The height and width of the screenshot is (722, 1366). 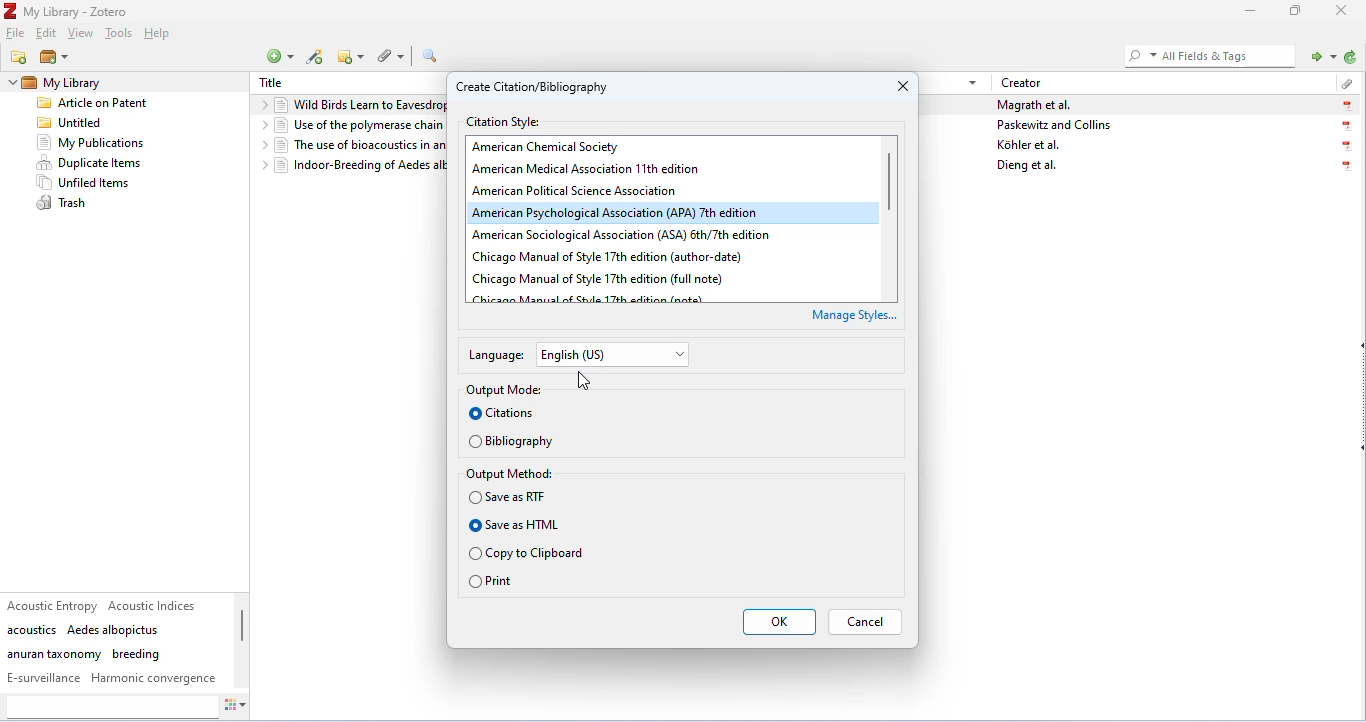 What do you see at coordinates (1343, 81) in the screenshot?
I see `attachment` at bounding box center [1343, 81].